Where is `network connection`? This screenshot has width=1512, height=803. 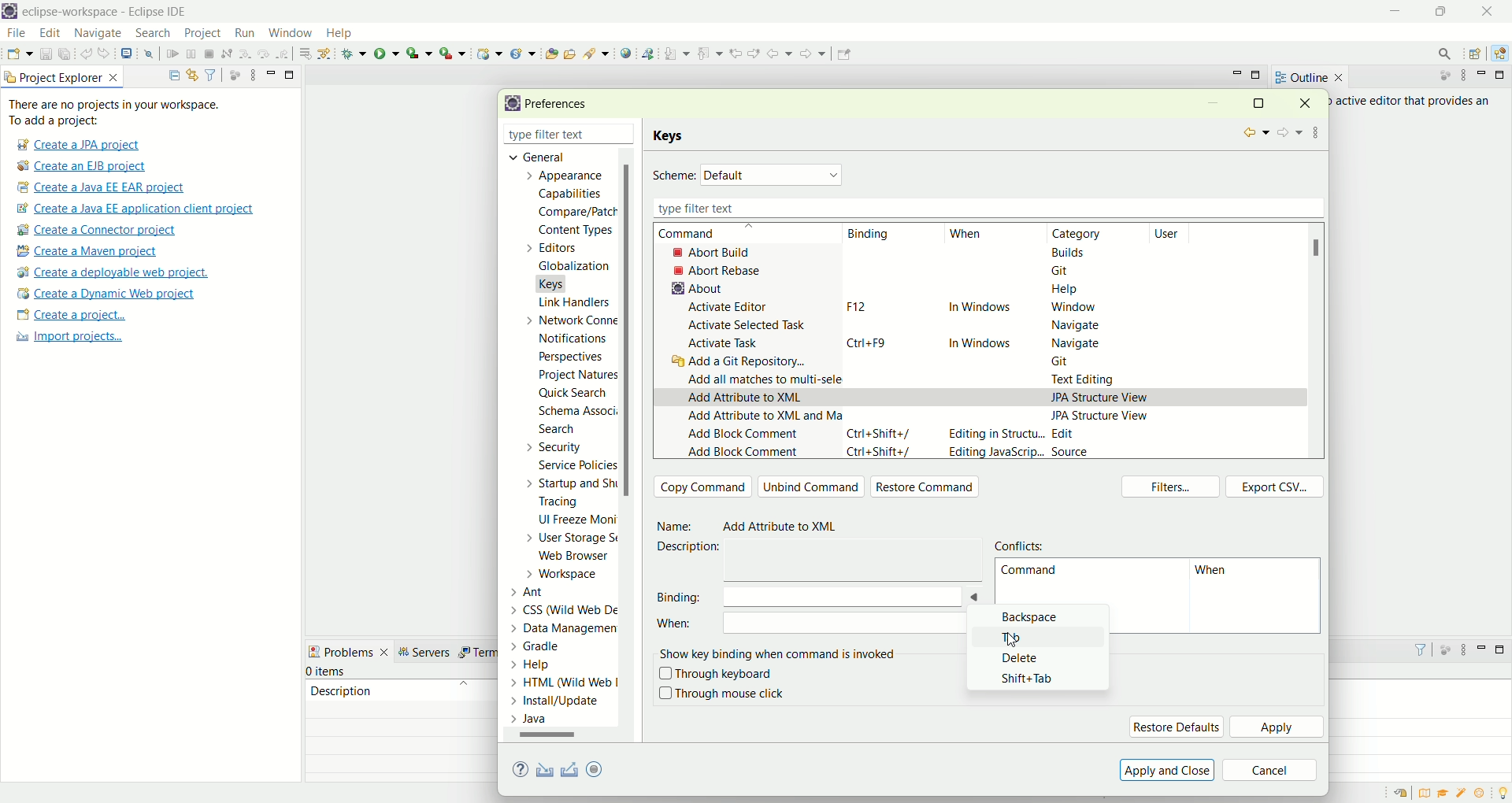
network connection is located at coordinates (568, 320).